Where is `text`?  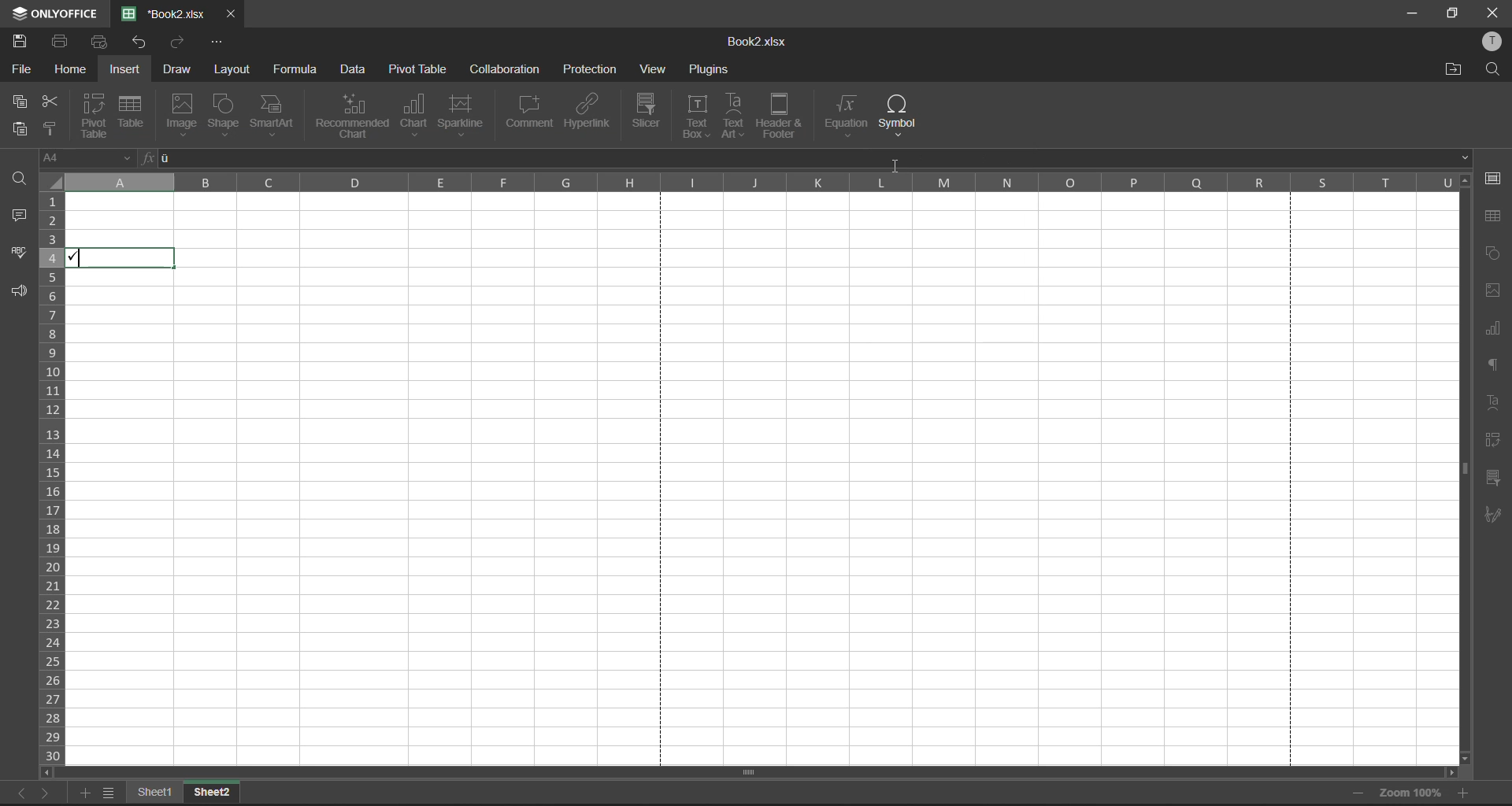
text is located at coordinates (1495, 404).